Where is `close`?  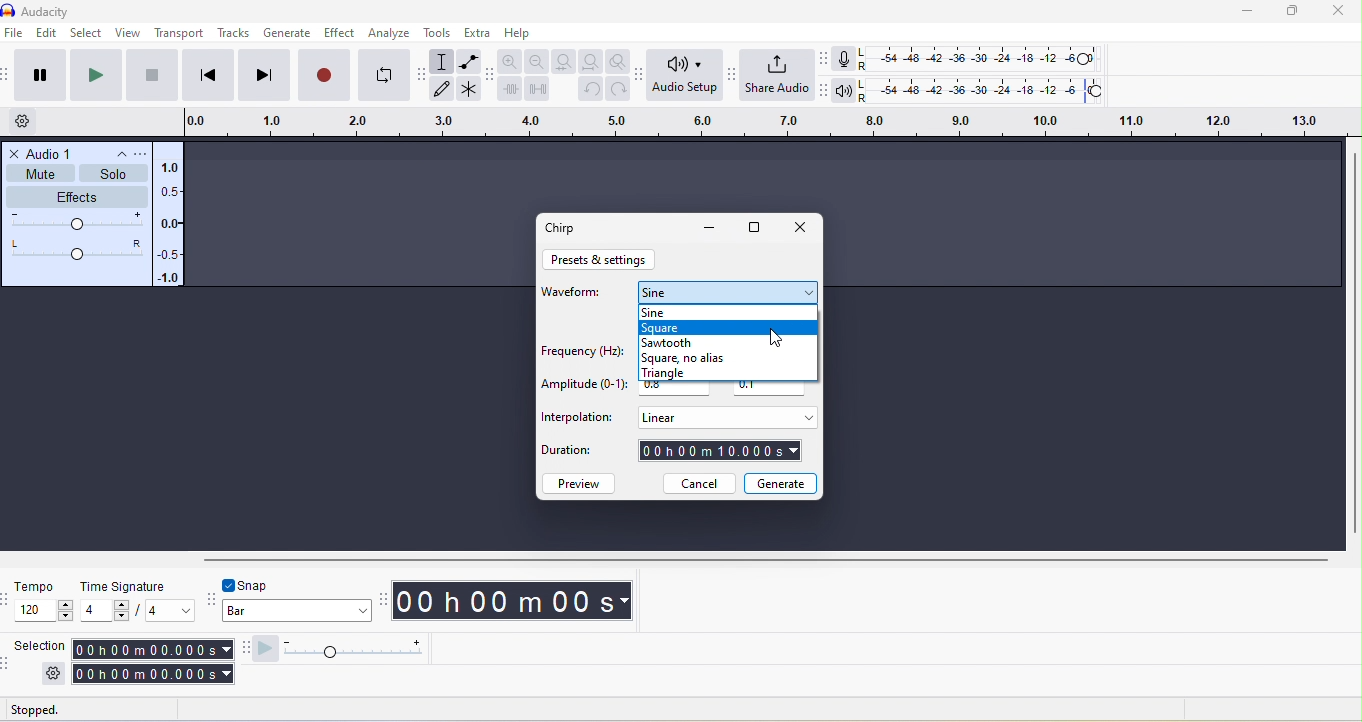 close is located at coordinates (1340, 12).